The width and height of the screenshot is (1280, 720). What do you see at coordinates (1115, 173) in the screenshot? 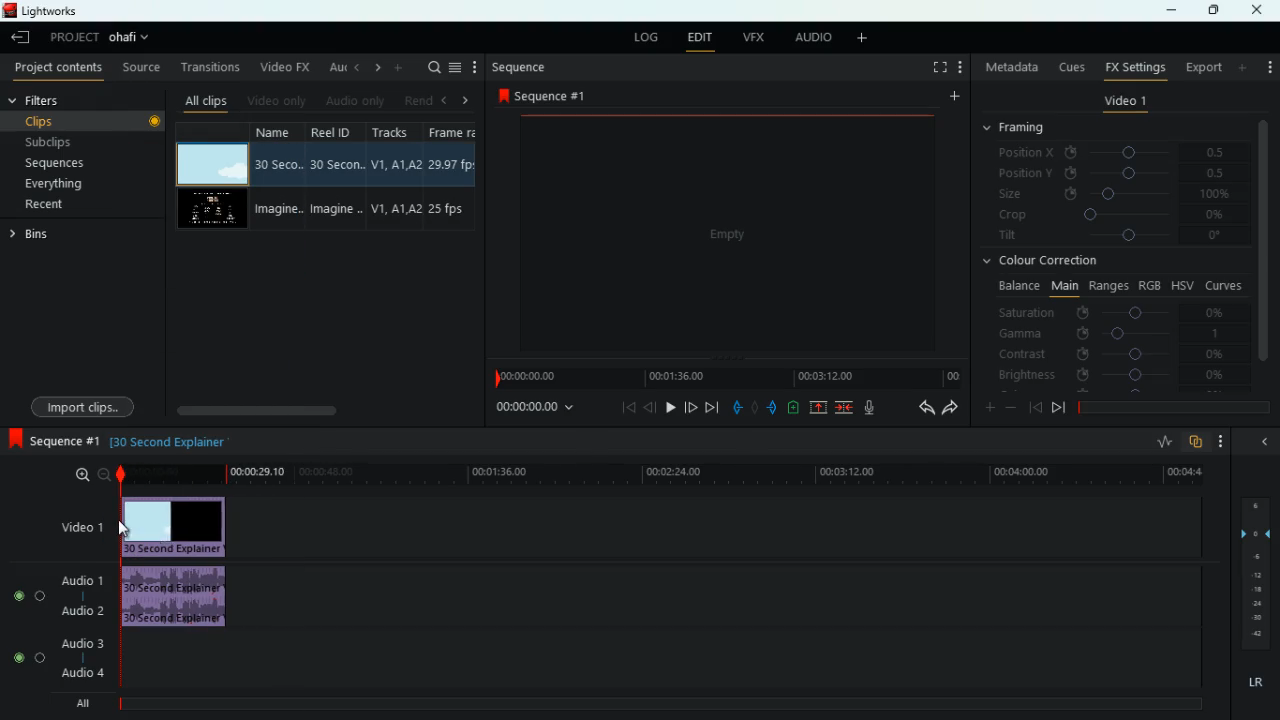
I see `position y` at bounding box center [1115, 173].